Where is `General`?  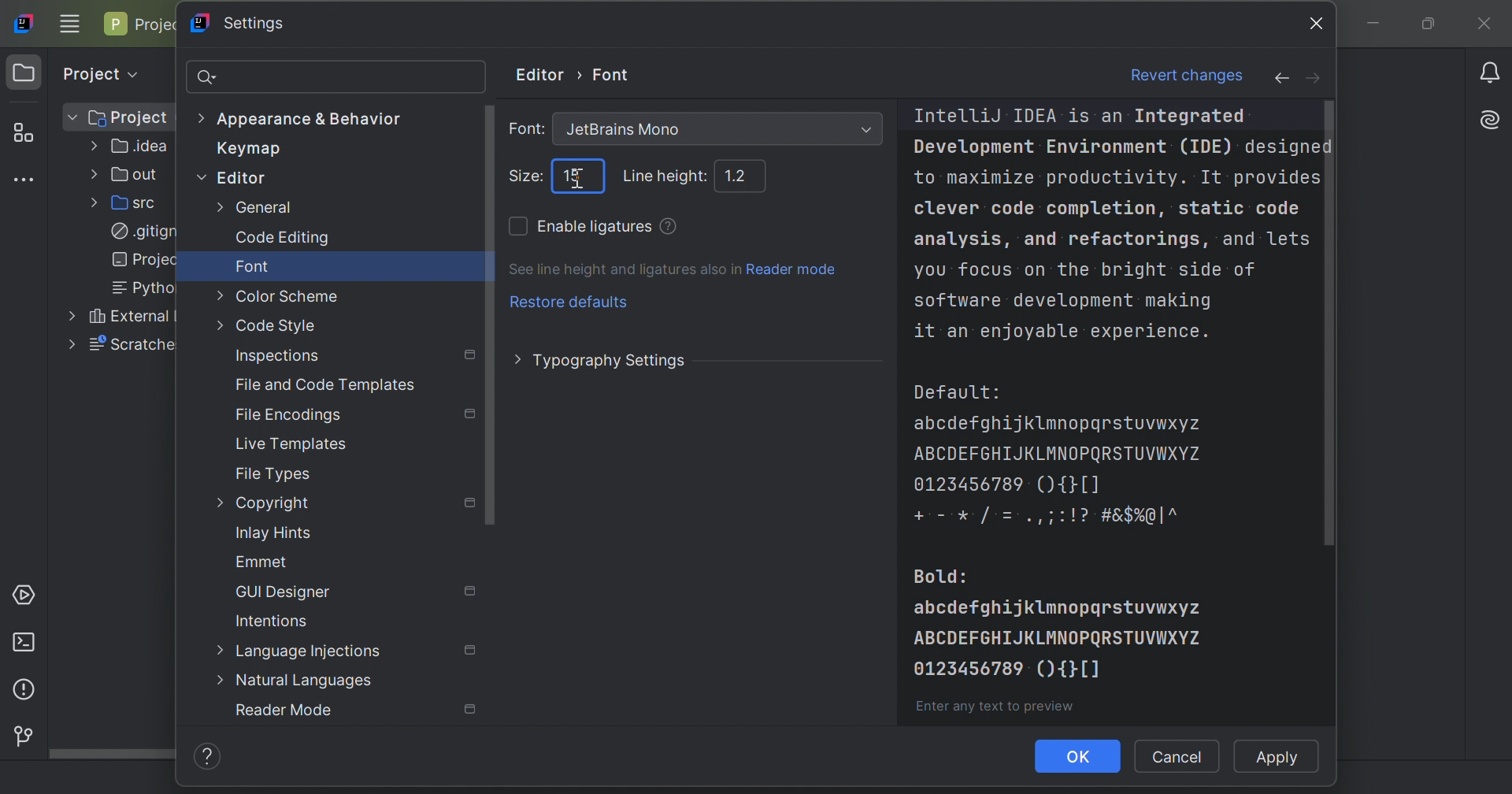
General is located at coordinates (255, 207).